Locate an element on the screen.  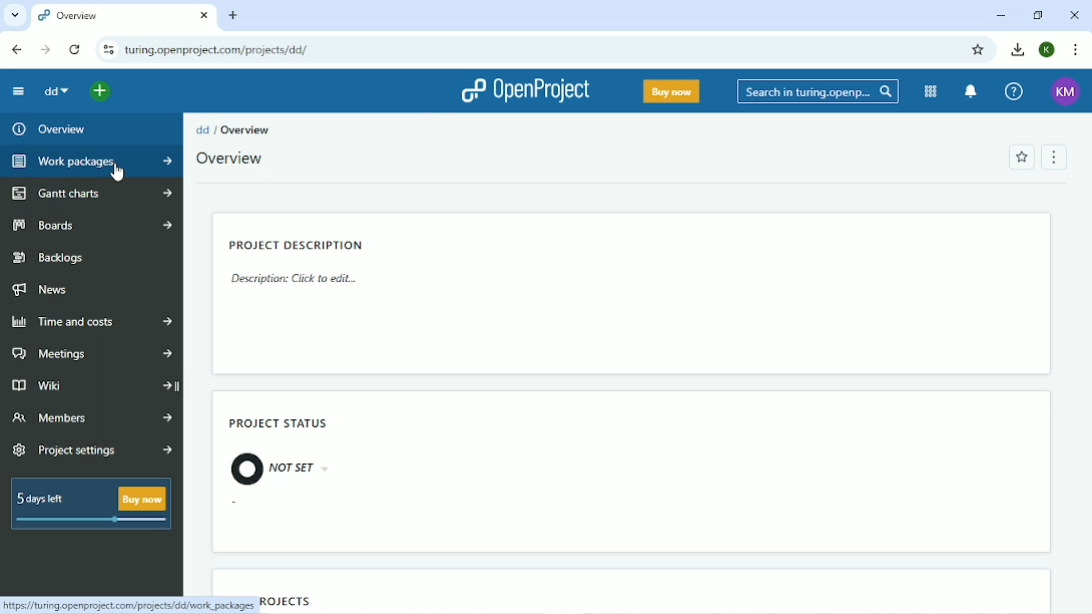
Wiki is located at coordinates (94, 386).